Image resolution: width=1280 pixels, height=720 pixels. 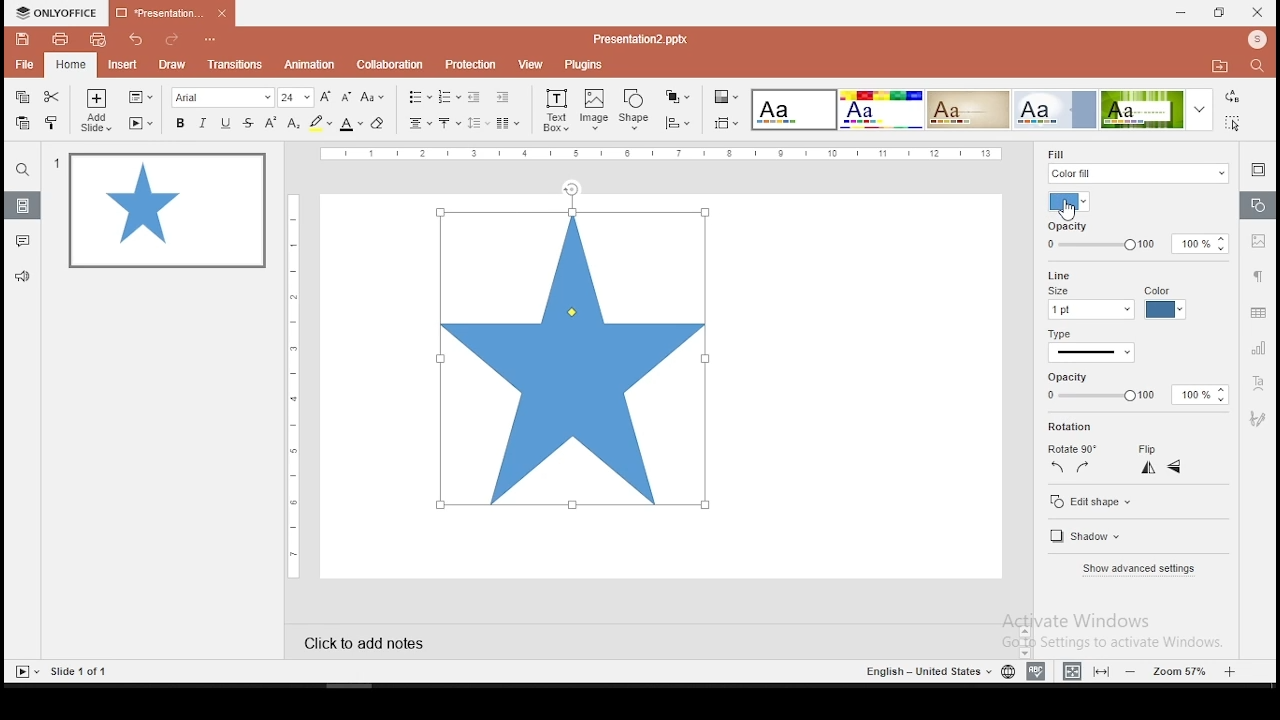 What do you see at coordinates (351, 124) in the screenshot?
I see `font color` at bounding box center [351, 124].